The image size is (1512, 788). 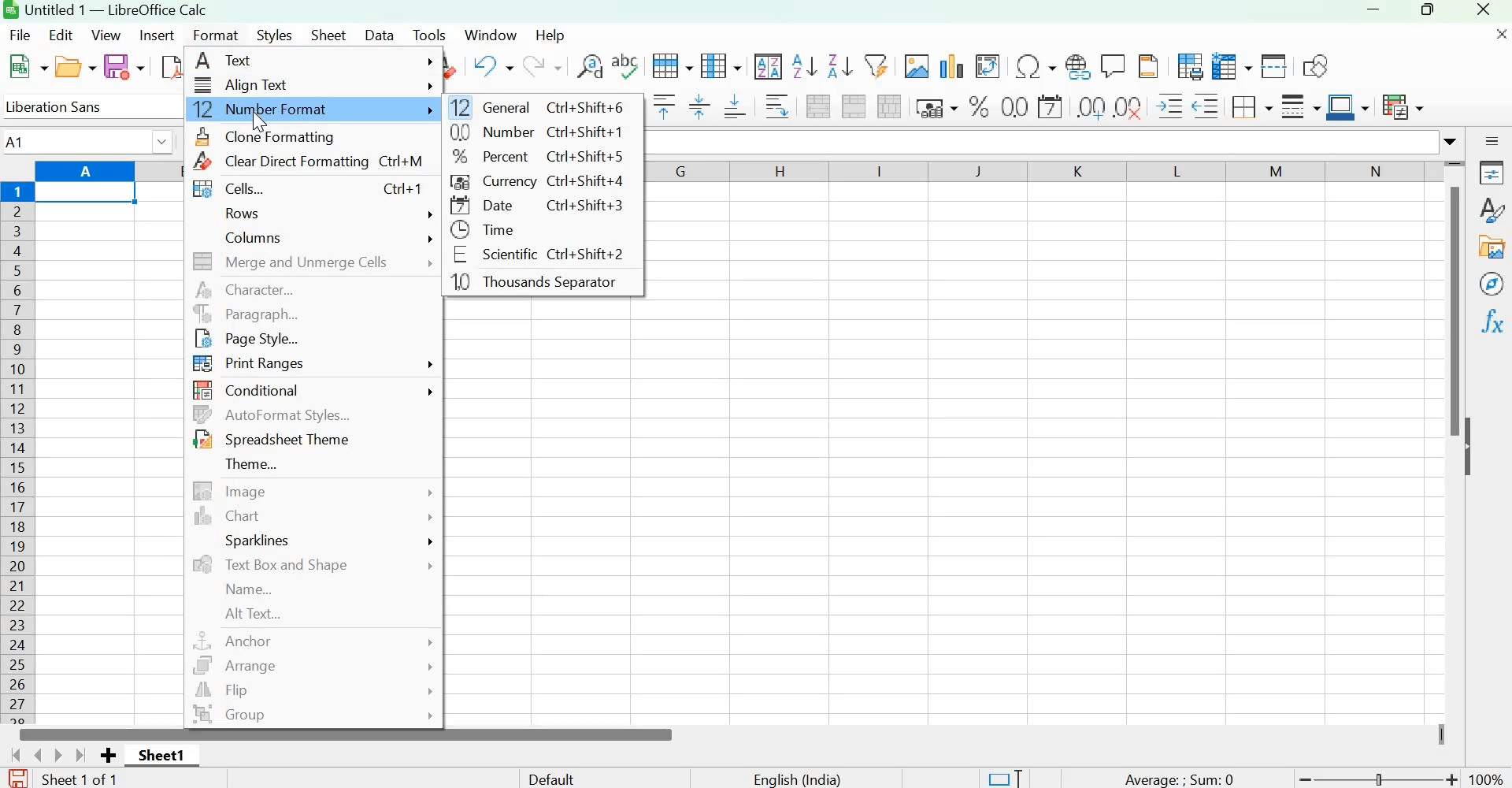 What do you see at coordinates (1250, 106) in the screenshot?
I see `Borders` at bounding box center [1250, 106].